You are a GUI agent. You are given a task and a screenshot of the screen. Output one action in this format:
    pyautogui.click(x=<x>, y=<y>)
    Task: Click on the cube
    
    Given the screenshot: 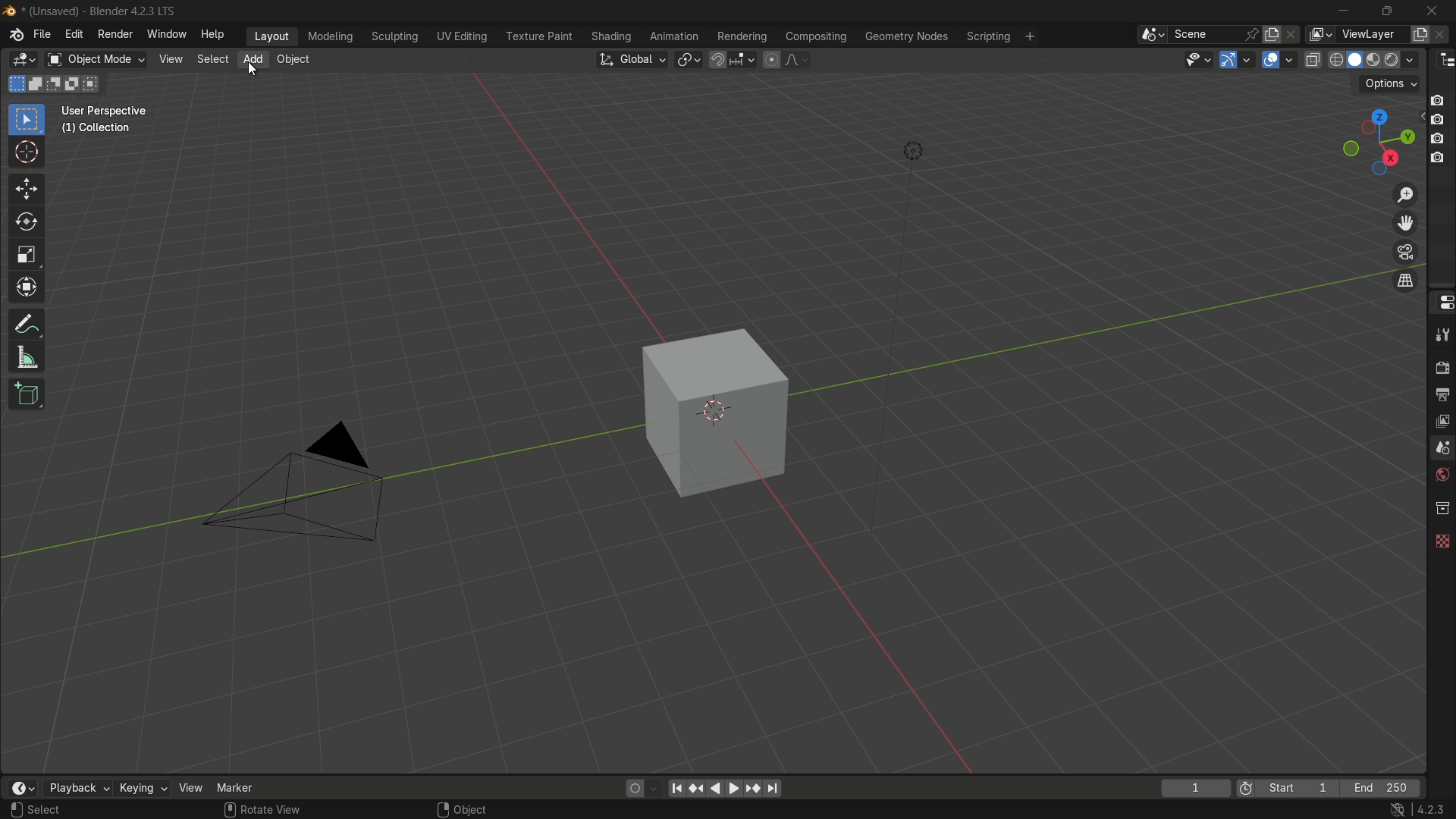 What is the action you would take?
    pyautogui.click(x=708, y=409)
    